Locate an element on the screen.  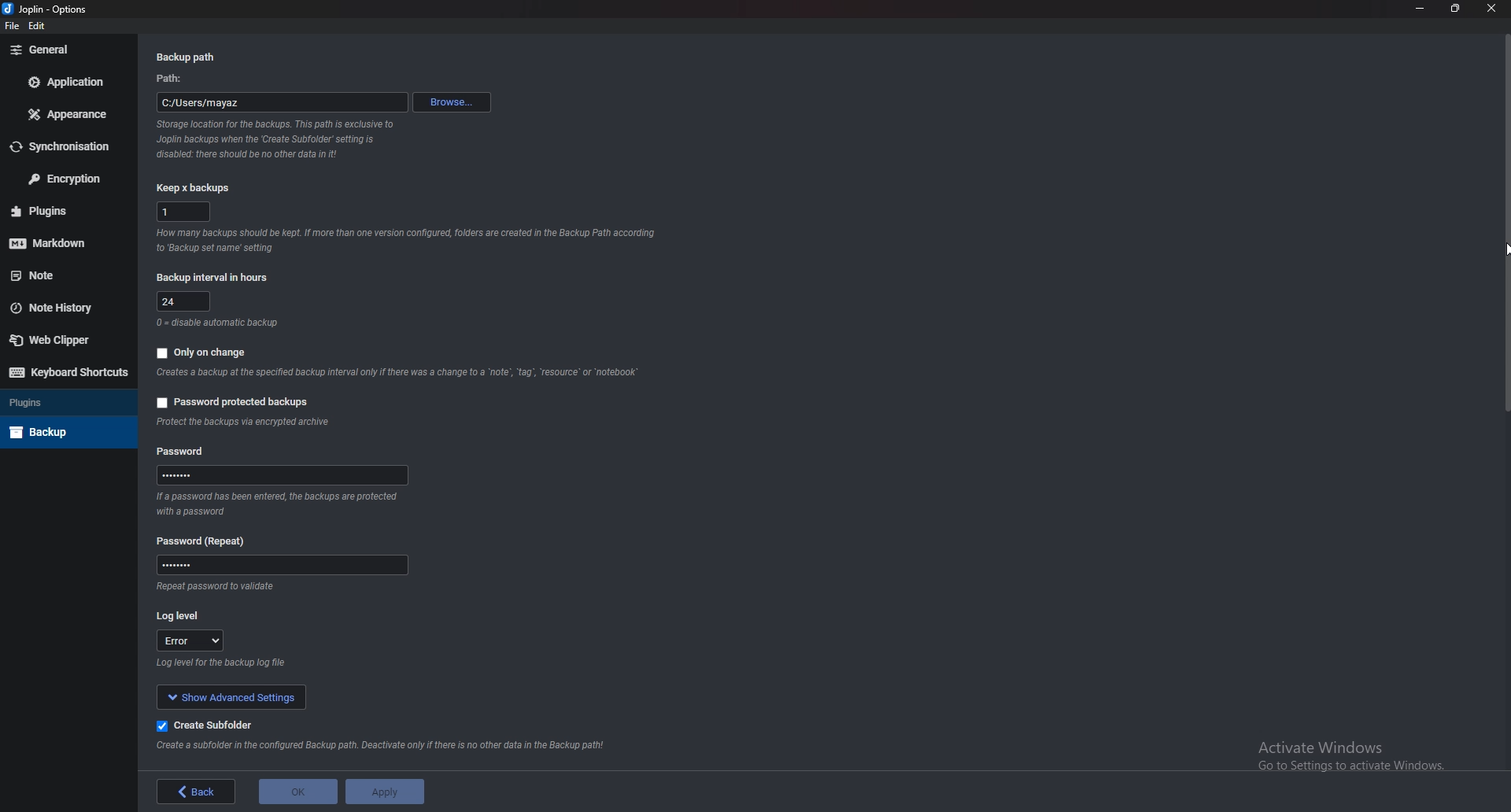
Resize is located at coordinates (1457, 8).